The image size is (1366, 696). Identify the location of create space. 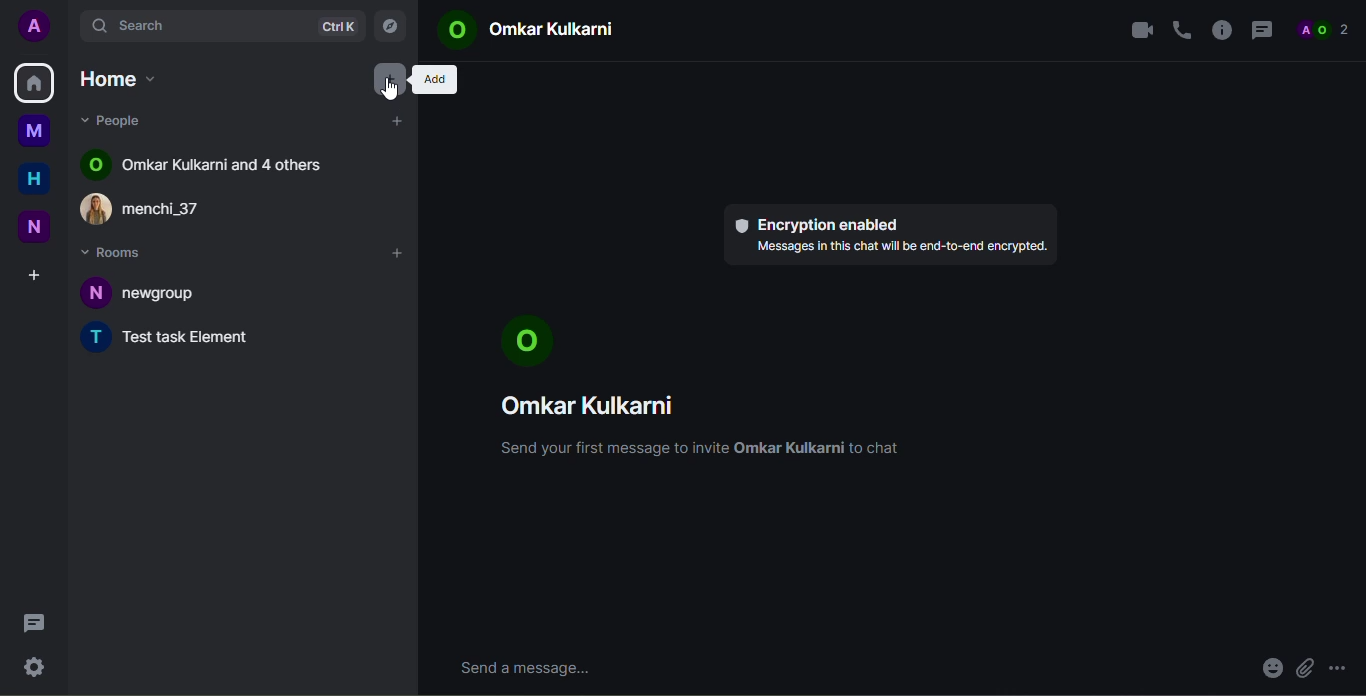
(33, 276).